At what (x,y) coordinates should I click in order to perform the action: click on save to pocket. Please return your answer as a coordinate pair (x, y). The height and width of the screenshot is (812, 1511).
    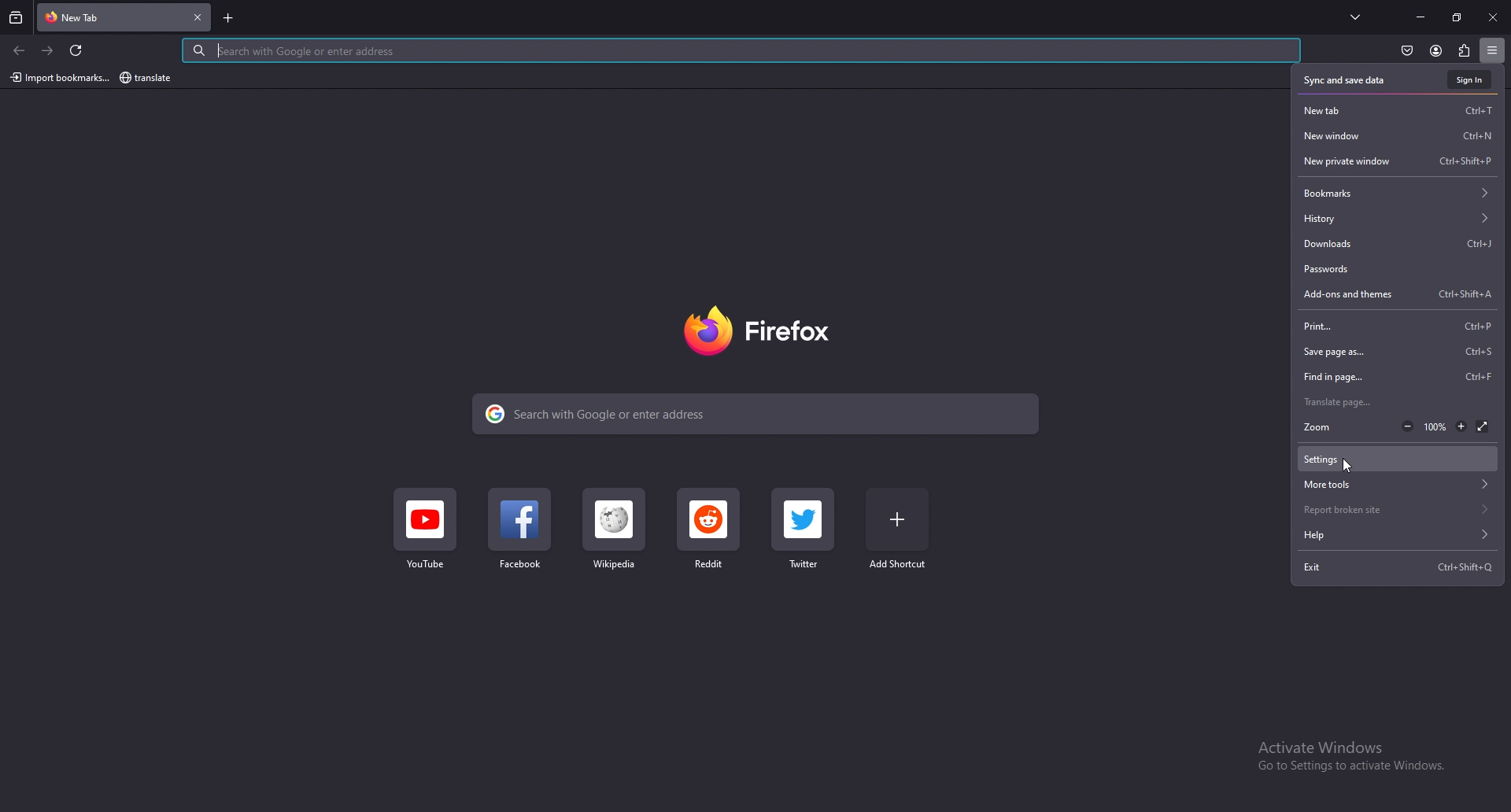
    Looking at the image, I should click on (1407, 51).